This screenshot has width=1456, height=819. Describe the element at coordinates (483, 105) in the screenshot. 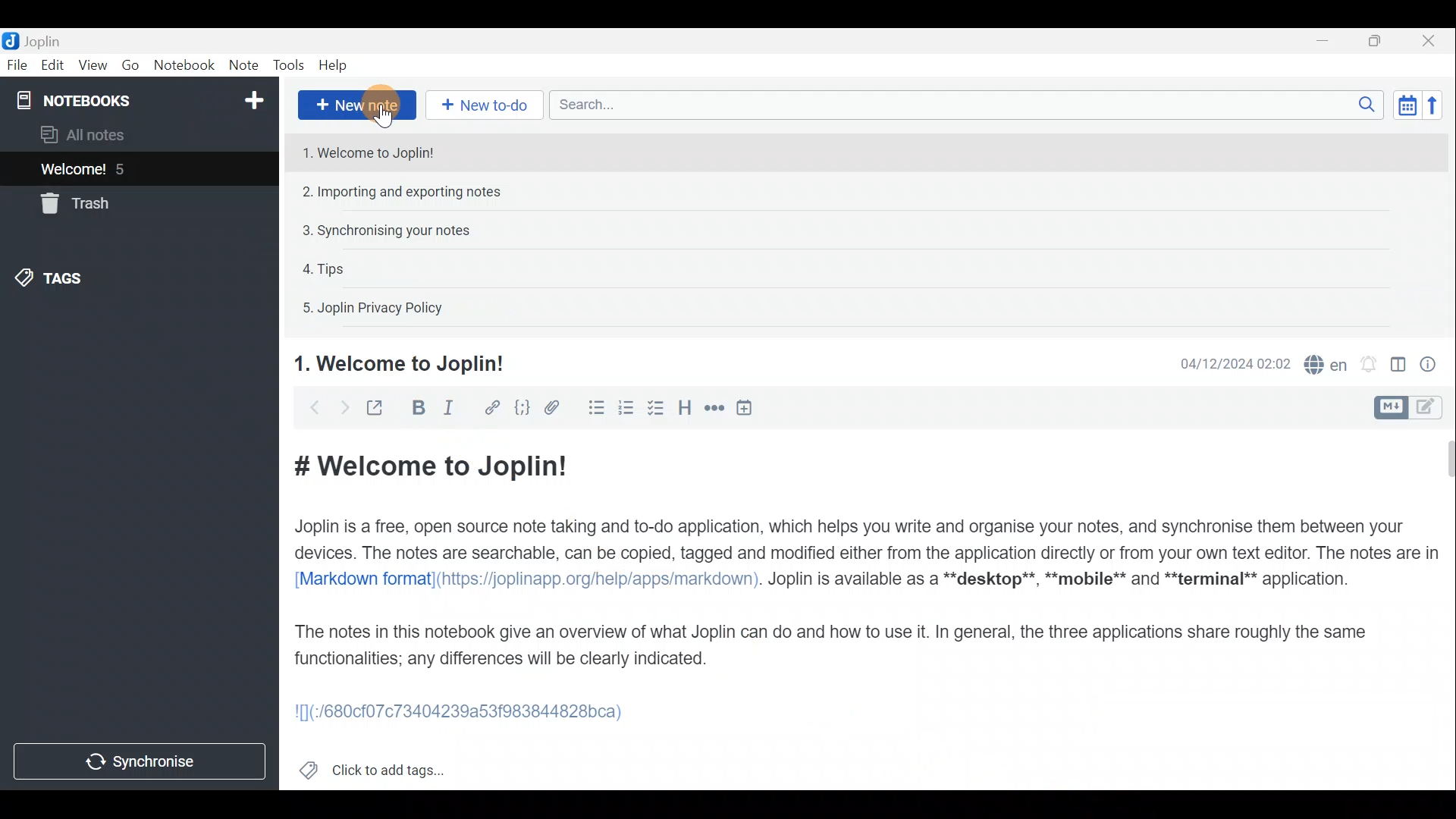

I see `New to-do` at that location.